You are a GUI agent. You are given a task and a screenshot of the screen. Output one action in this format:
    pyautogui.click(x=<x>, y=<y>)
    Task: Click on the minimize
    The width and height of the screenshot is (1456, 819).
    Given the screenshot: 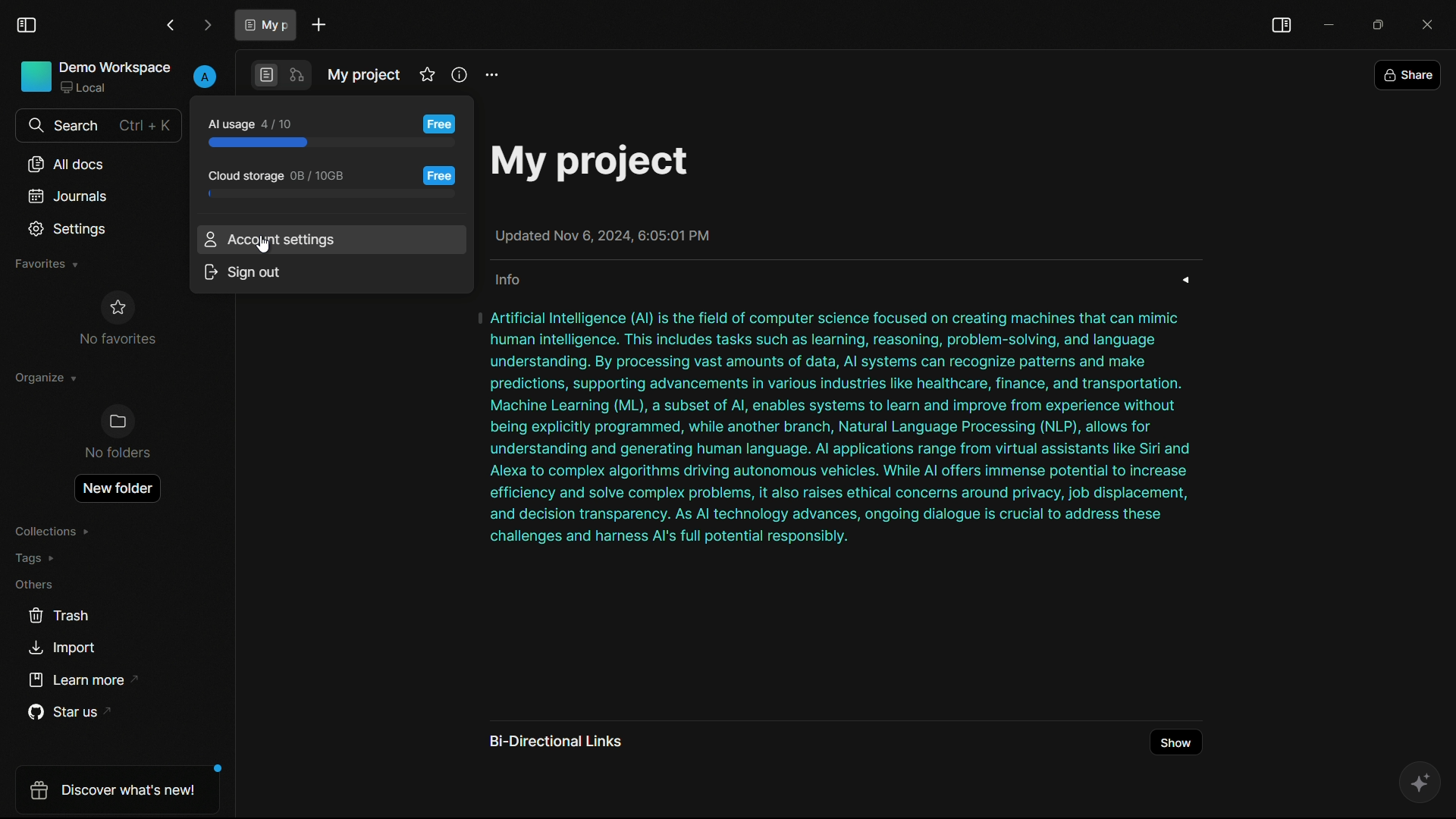 What is the action you would take?
    pyautogui.click(x=1327, y=24)
    